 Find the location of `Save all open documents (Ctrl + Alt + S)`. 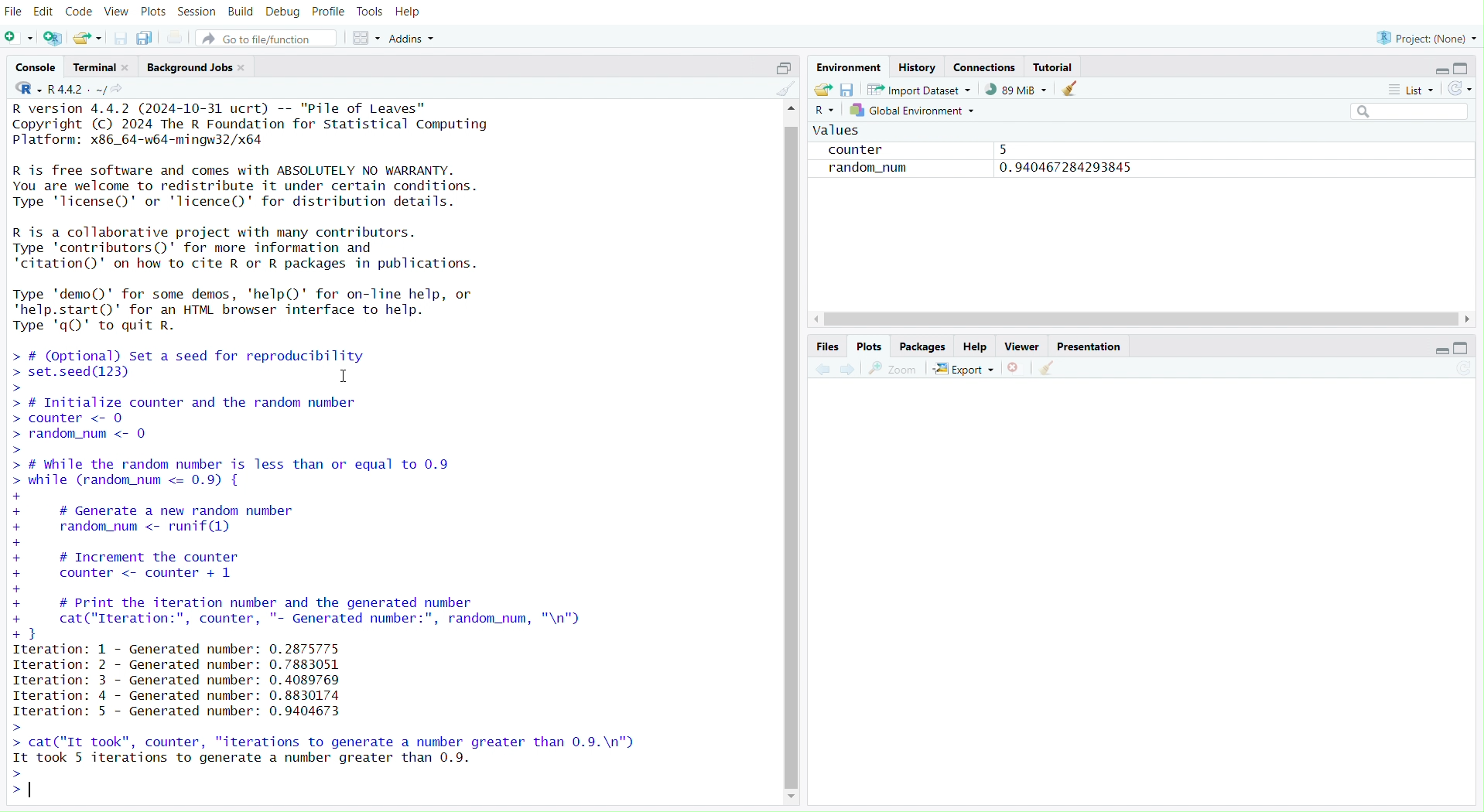

Save all open documents (Ctrl + Alt + S) is located at coordinates (146, 37).